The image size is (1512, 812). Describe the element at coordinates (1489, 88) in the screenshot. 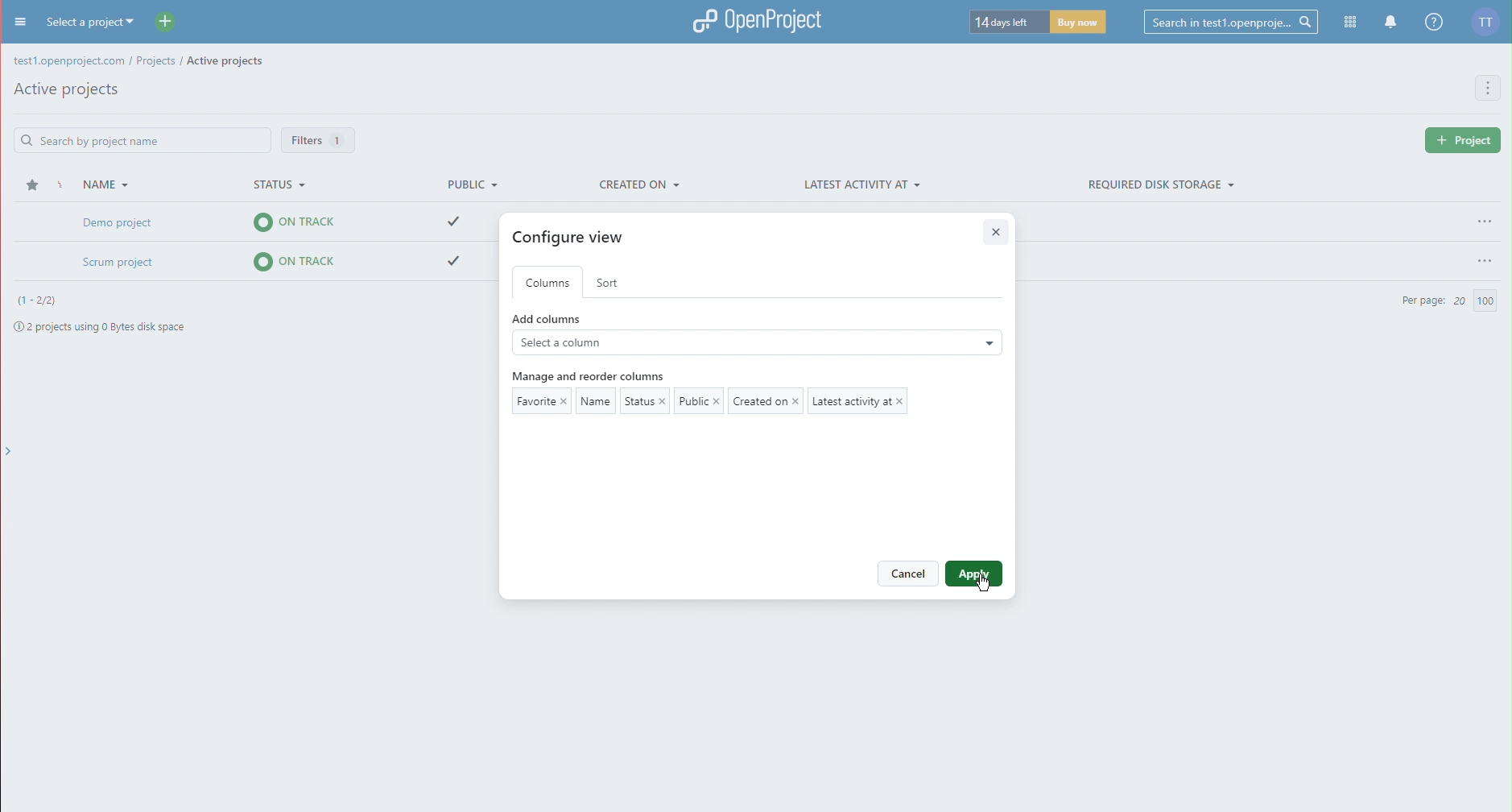

I see `More` at that location.